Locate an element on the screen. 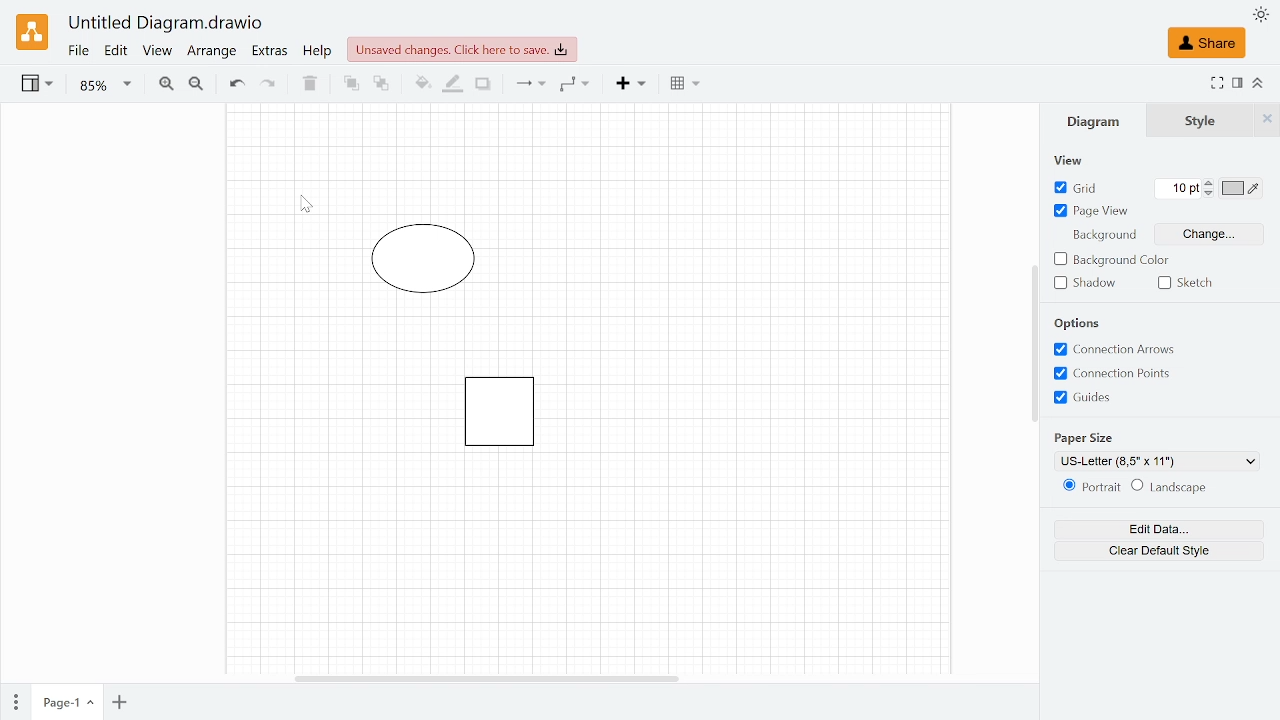 The width and height of the screenshot is (1280, 720). Edit is located at coordinates (117, 52).